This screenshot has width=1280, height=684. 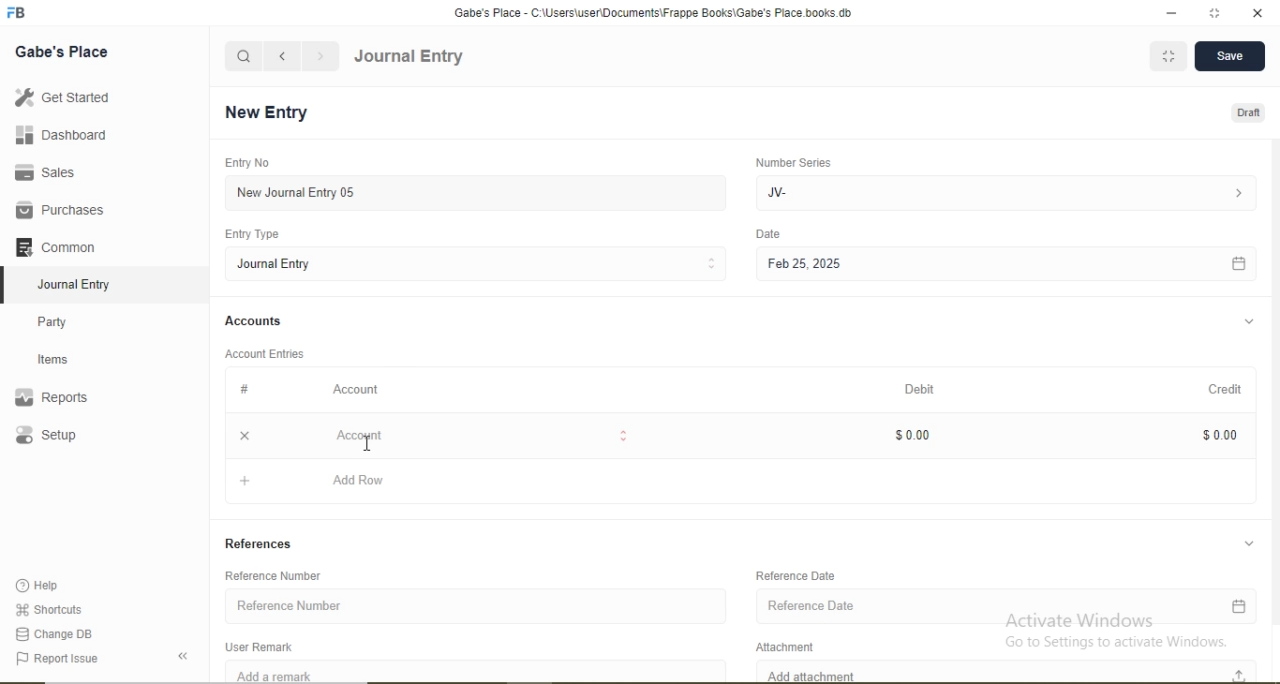 I want to click on References., so click(x=259, y=543).